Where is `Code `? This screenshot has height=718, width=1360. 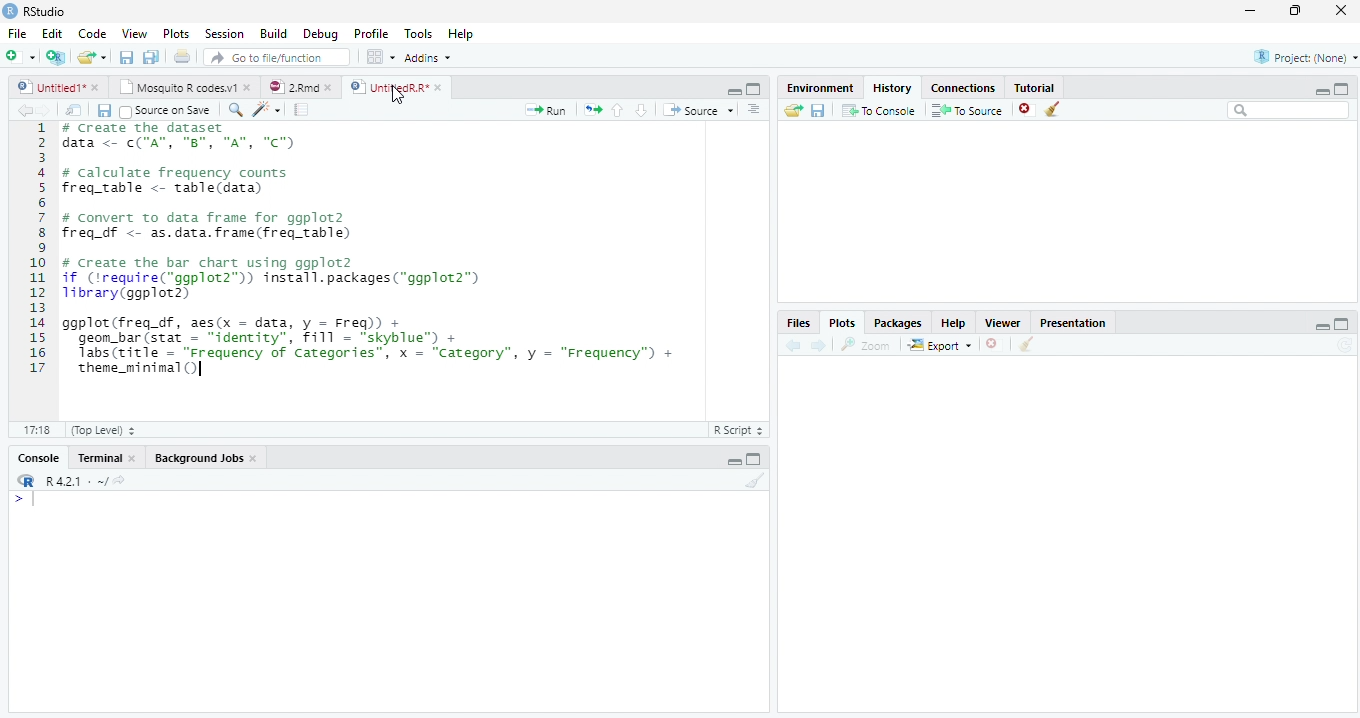
Code  is located at coordinates (269, 110).